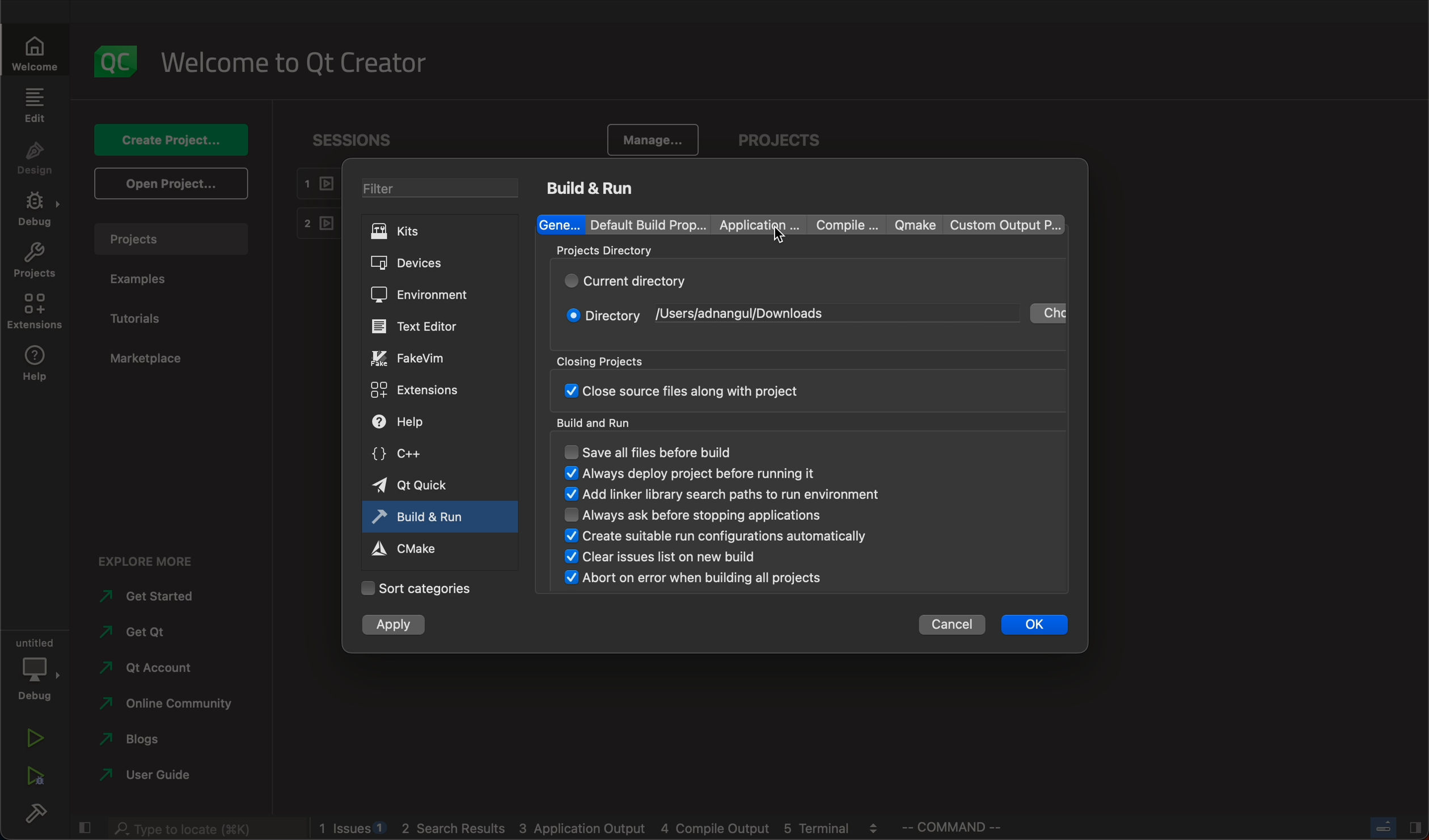 The image size is (1429, 840). Describe the element at coordinates (1033, 624) in the screenshot. I see `ok` at that location.